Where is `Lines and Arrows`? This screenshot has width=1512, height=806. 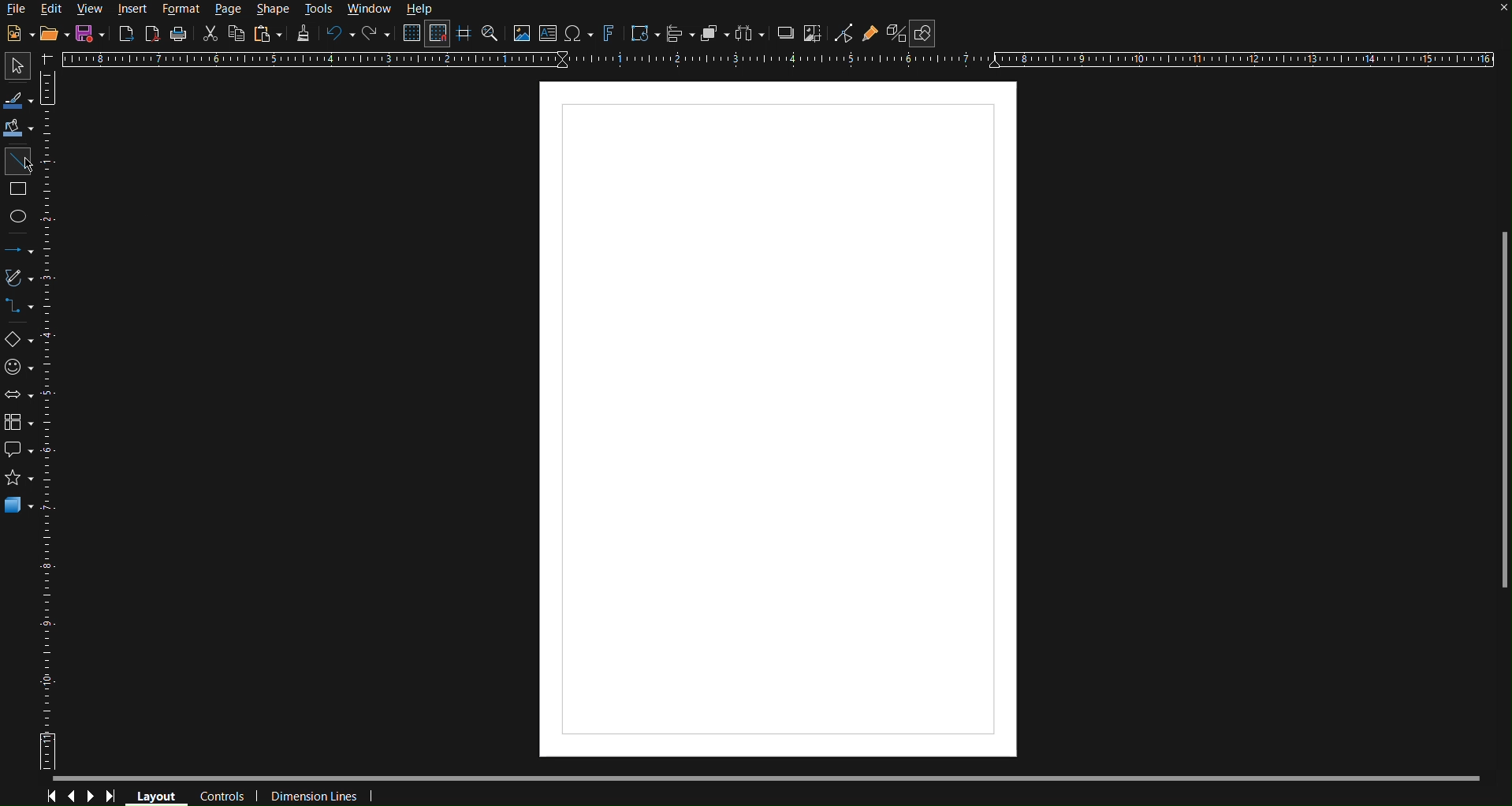 Lines and Arrows is located at coordinates (19, 250).